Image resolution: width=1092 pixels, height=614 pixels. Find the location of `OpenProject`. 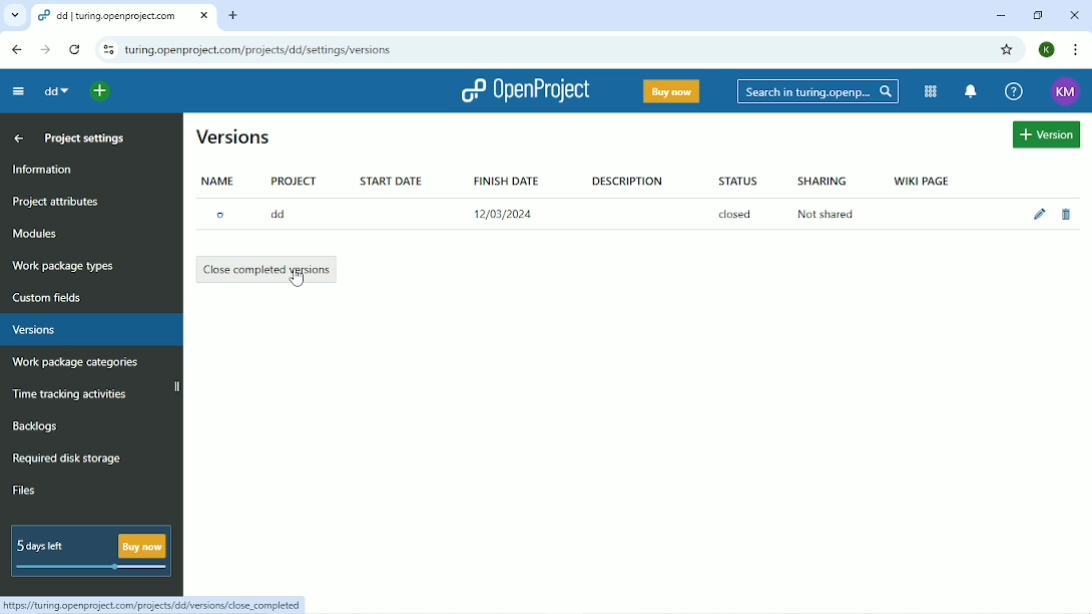

OpenProject is located at coordinates (525, 90).